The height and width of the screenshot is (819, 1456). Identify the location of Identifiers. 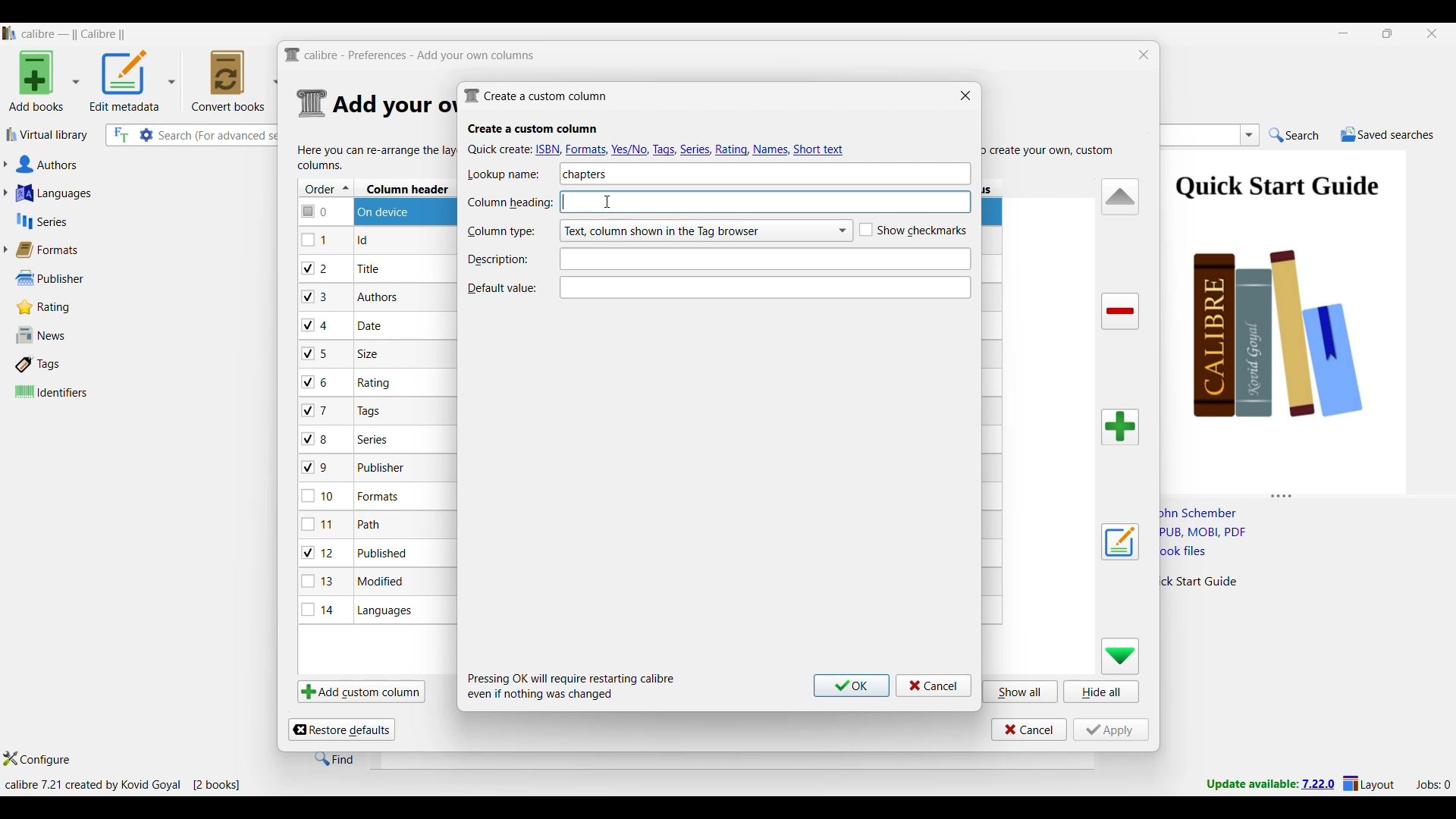
(74, 391).